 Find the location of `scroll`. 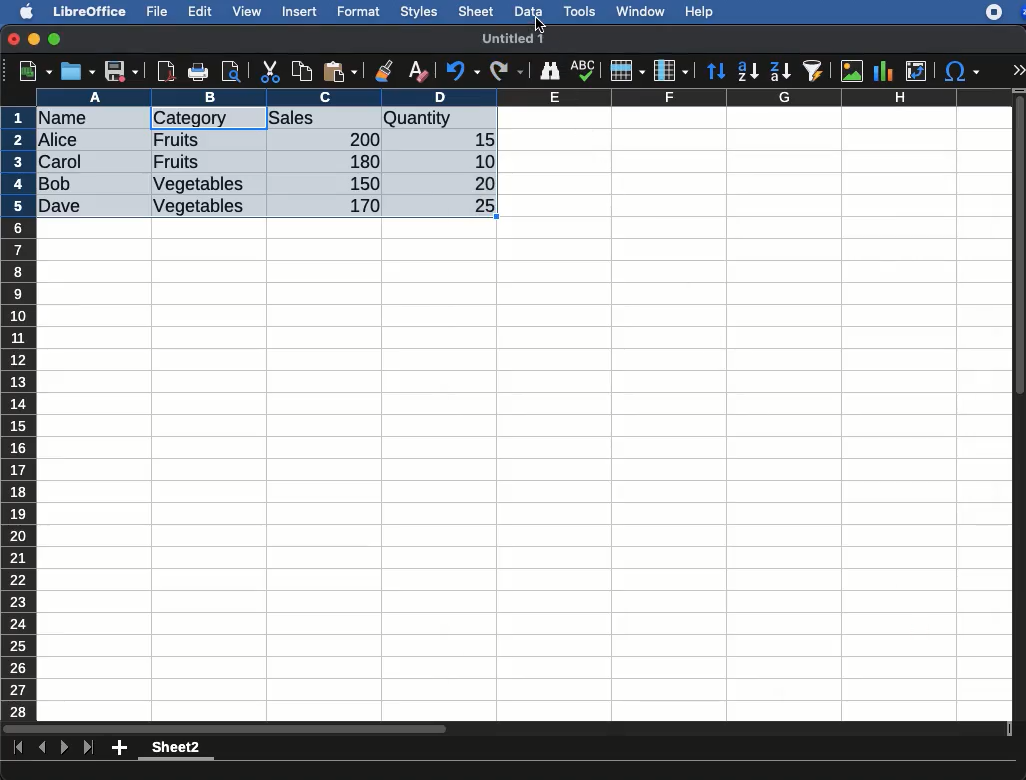

scroll is located at coordinates (1021, 404).